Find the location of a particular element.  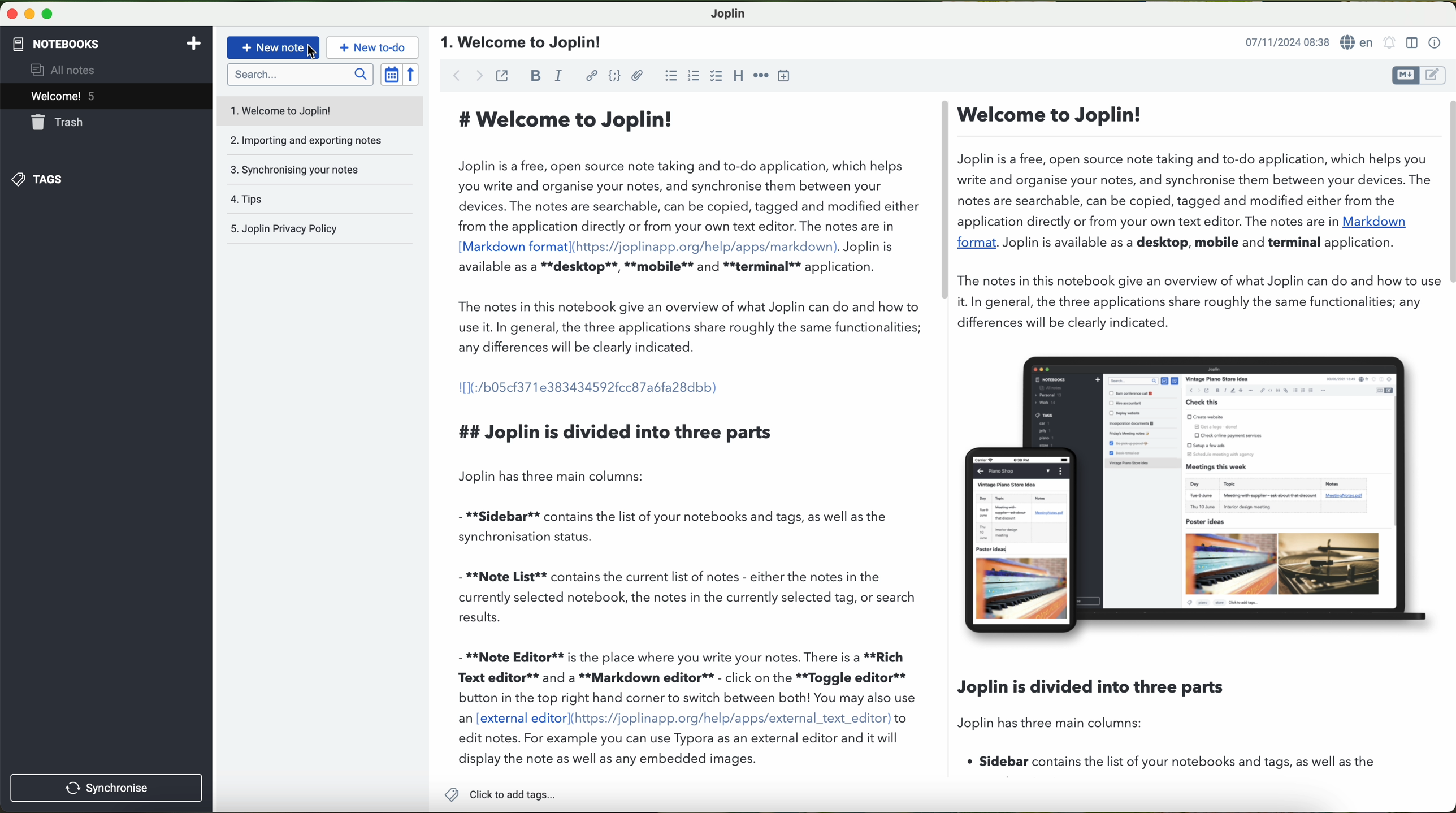

minimize is located at coordinates (27, 13).